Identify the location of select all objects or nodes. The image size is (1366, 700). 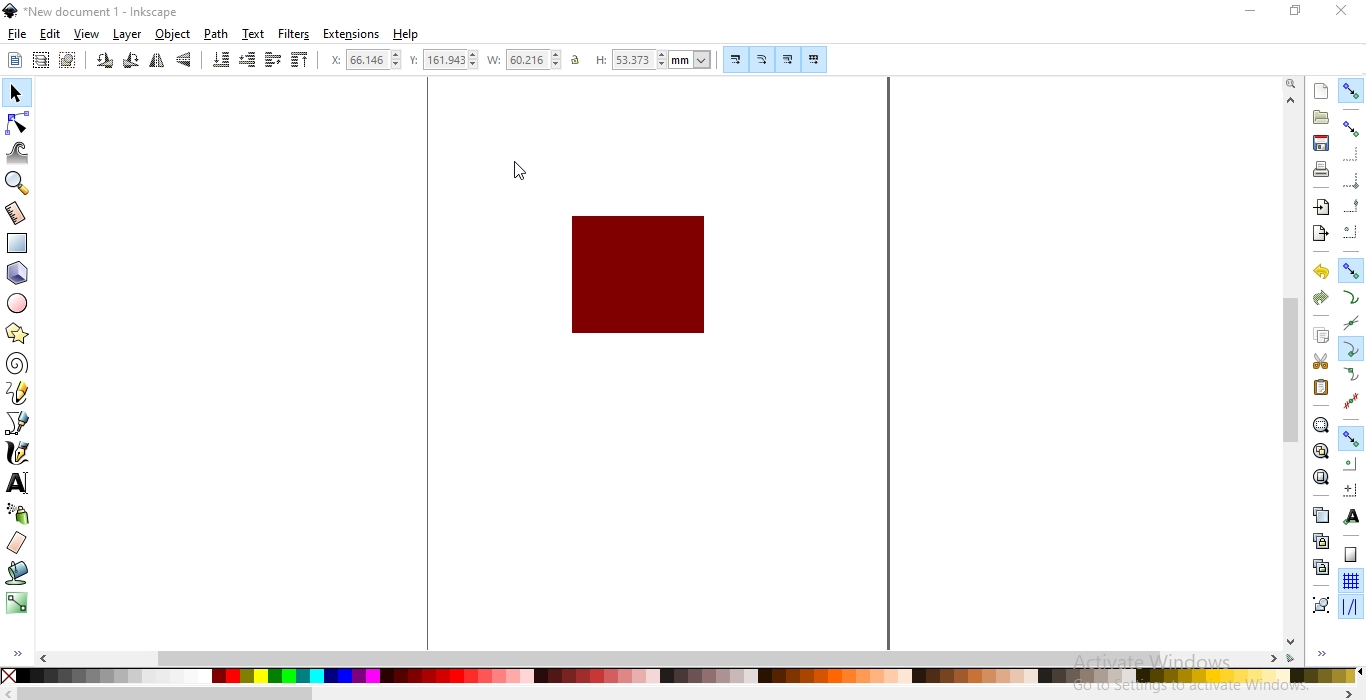
(14, 60).